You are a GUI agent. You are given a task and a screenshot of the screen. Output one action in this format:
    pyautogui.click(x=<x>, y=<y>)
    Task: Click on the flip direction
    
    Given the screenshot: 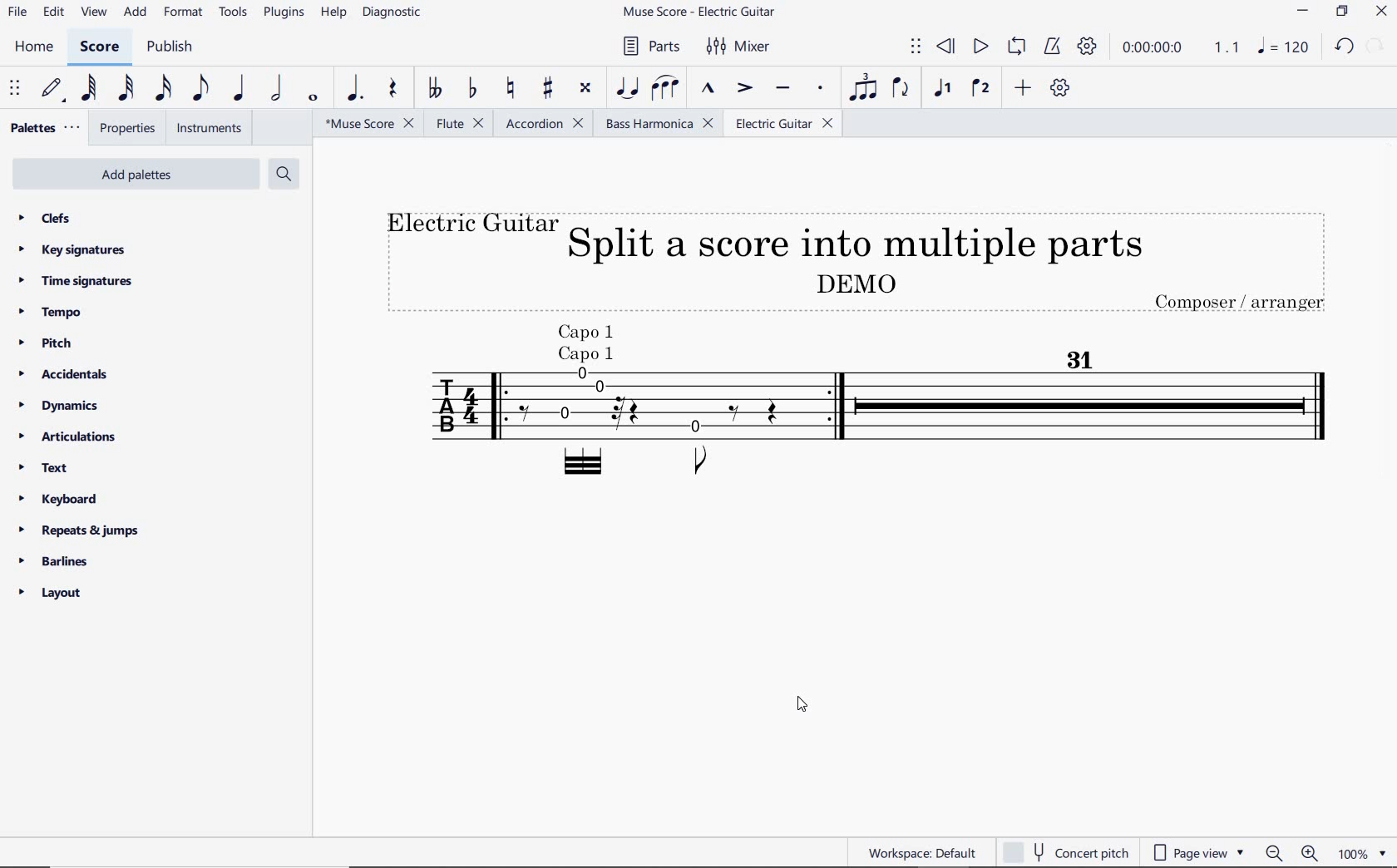 What is the action you would take?
    pyautogui.click(x=902, y=91)
    